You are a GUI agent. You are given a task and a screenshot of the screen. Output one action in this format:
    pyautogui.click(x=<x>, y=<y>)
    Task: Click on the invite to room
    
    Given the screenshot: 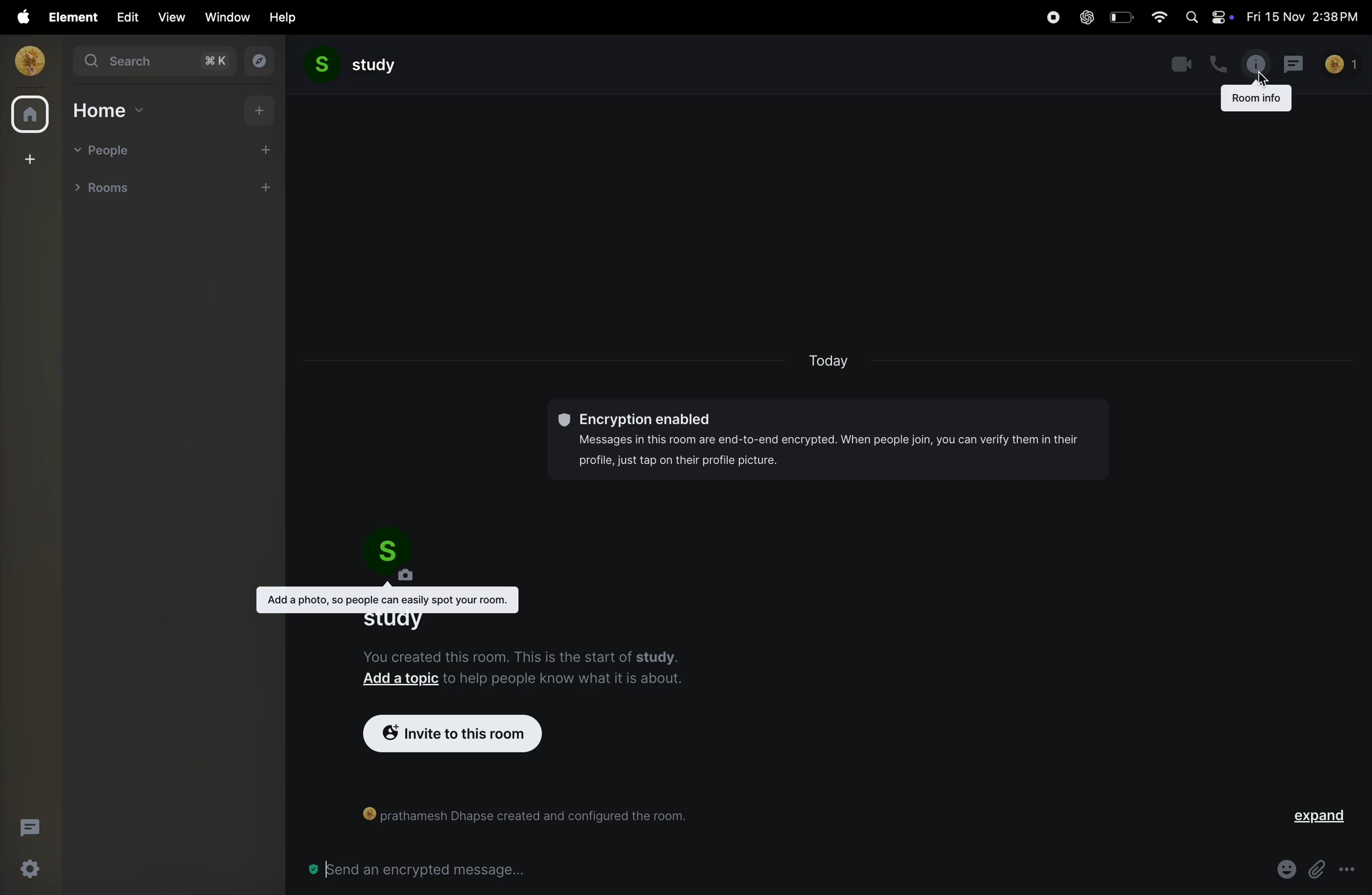 What is the action you would take?
    pyautogui.click(x=455, y=735)
    